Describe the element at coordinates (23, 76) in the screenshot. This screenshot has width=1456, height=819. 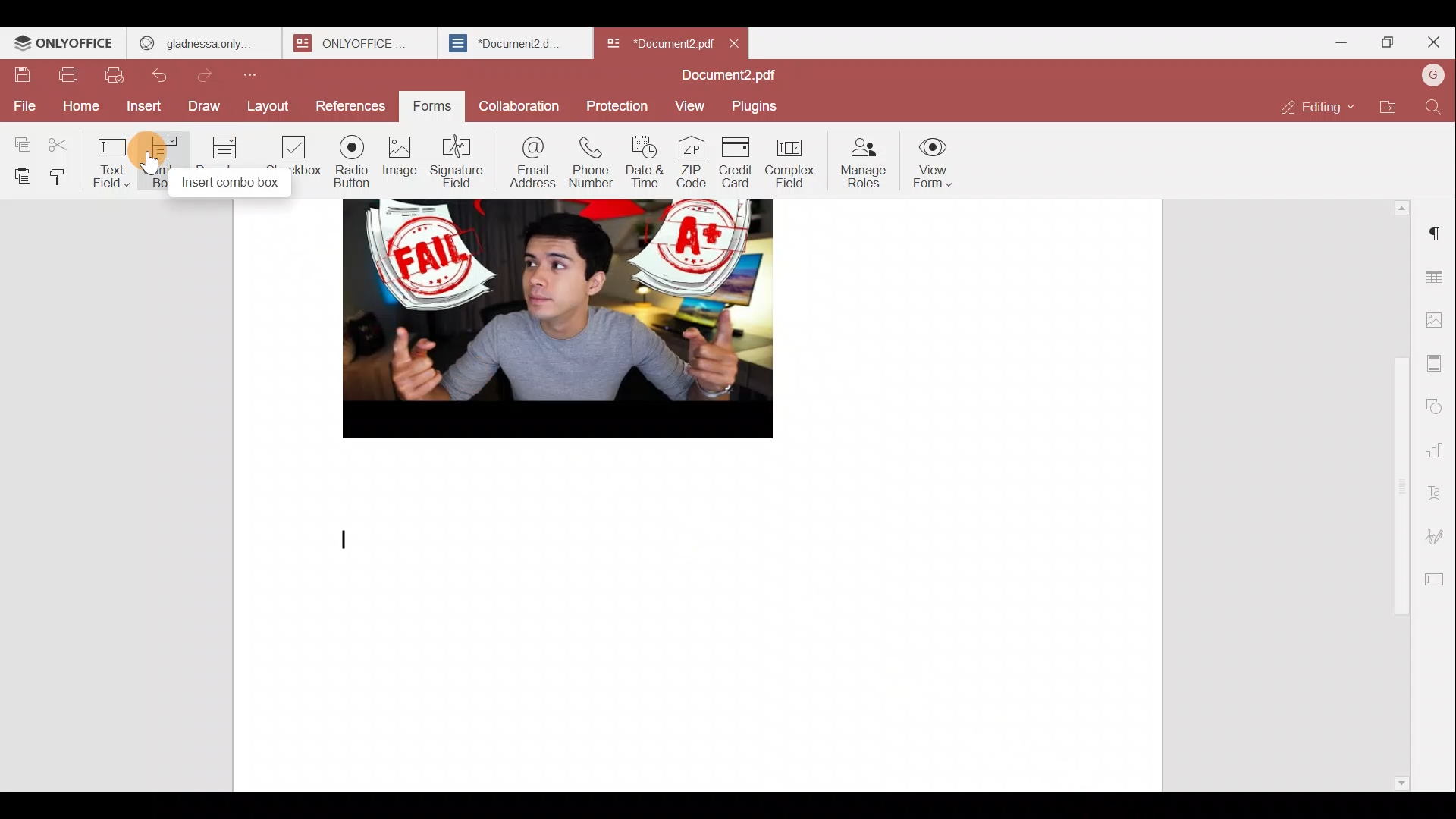
I see `Save` at that location.